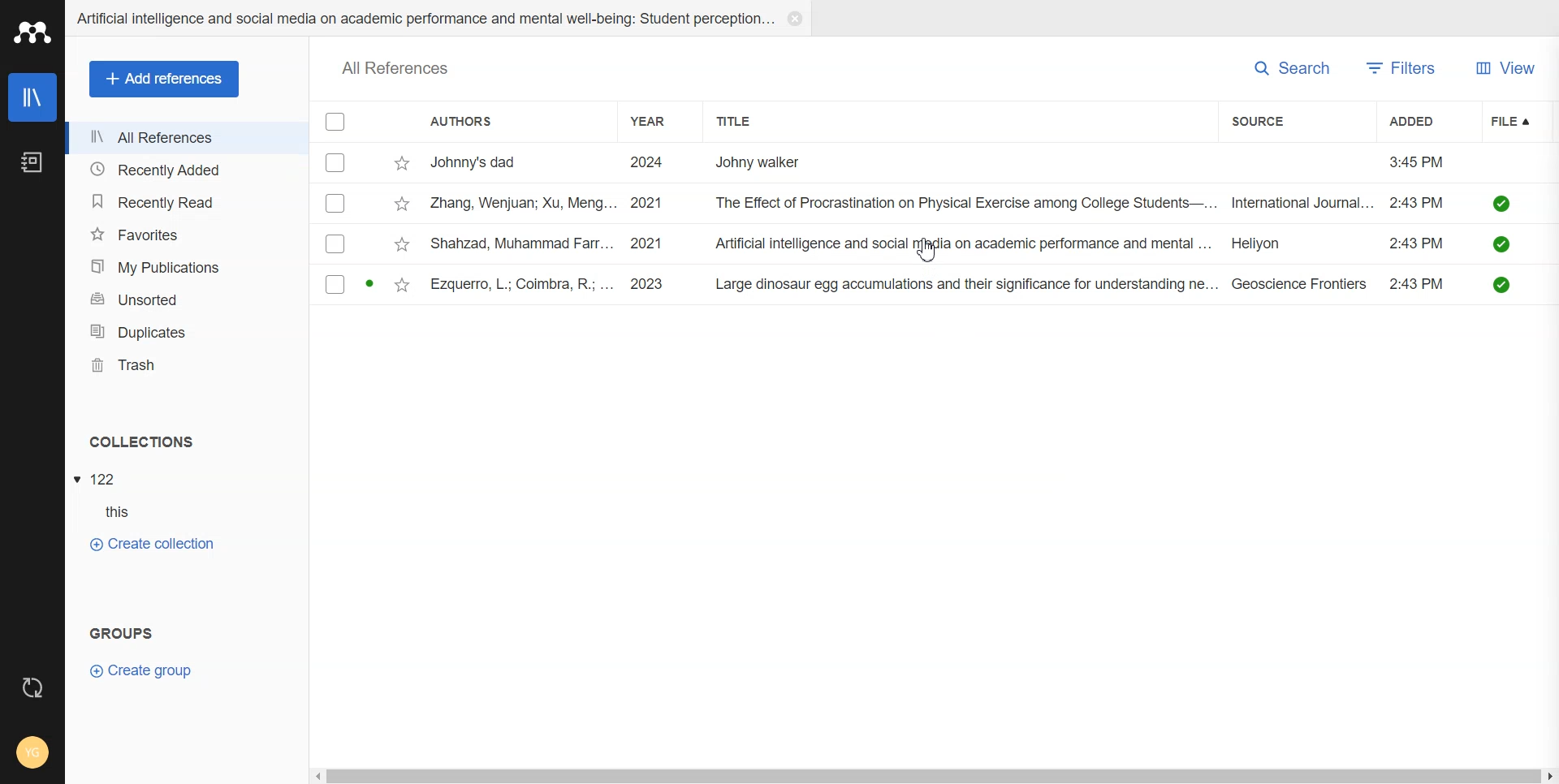 This screenshot has height=784, width=1559. Describe the element at coordinates (123, 631) in the screenshot. I see `groups` at that location.